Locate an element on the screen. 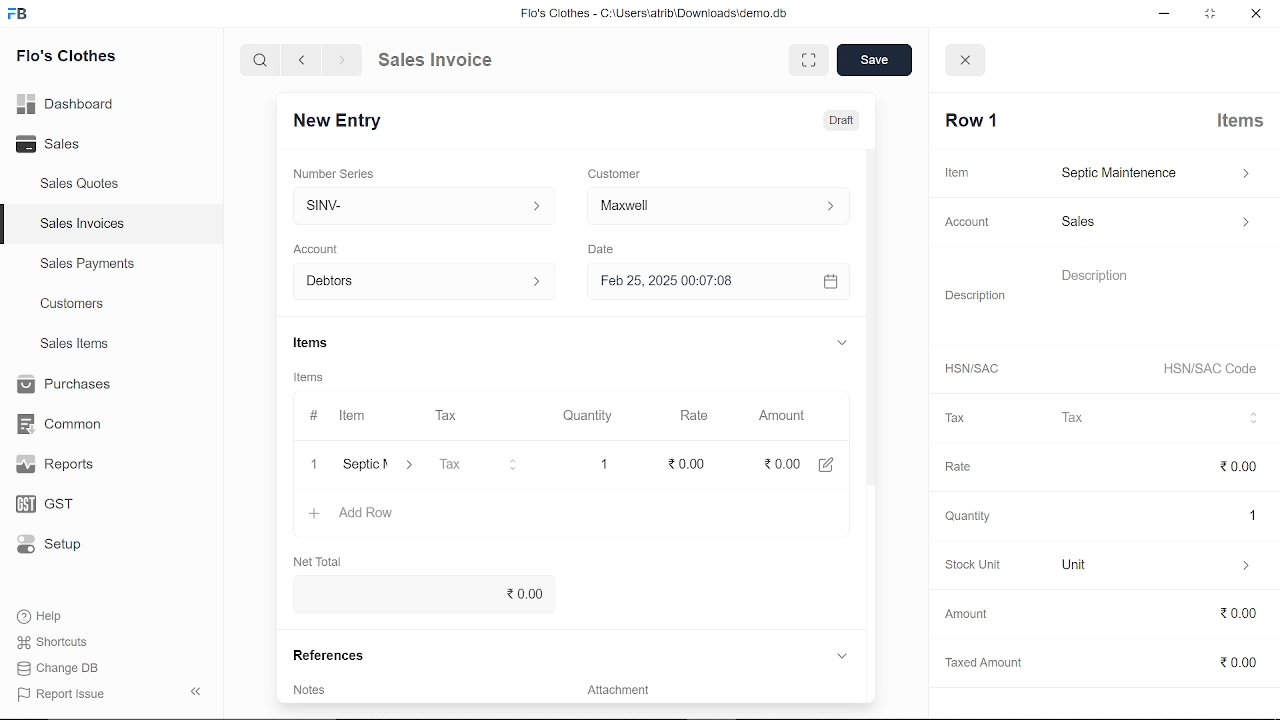 Image resolution: width=1280 pixels, height=720 pixels. 0.00 is located at coordinates (1221, 614).